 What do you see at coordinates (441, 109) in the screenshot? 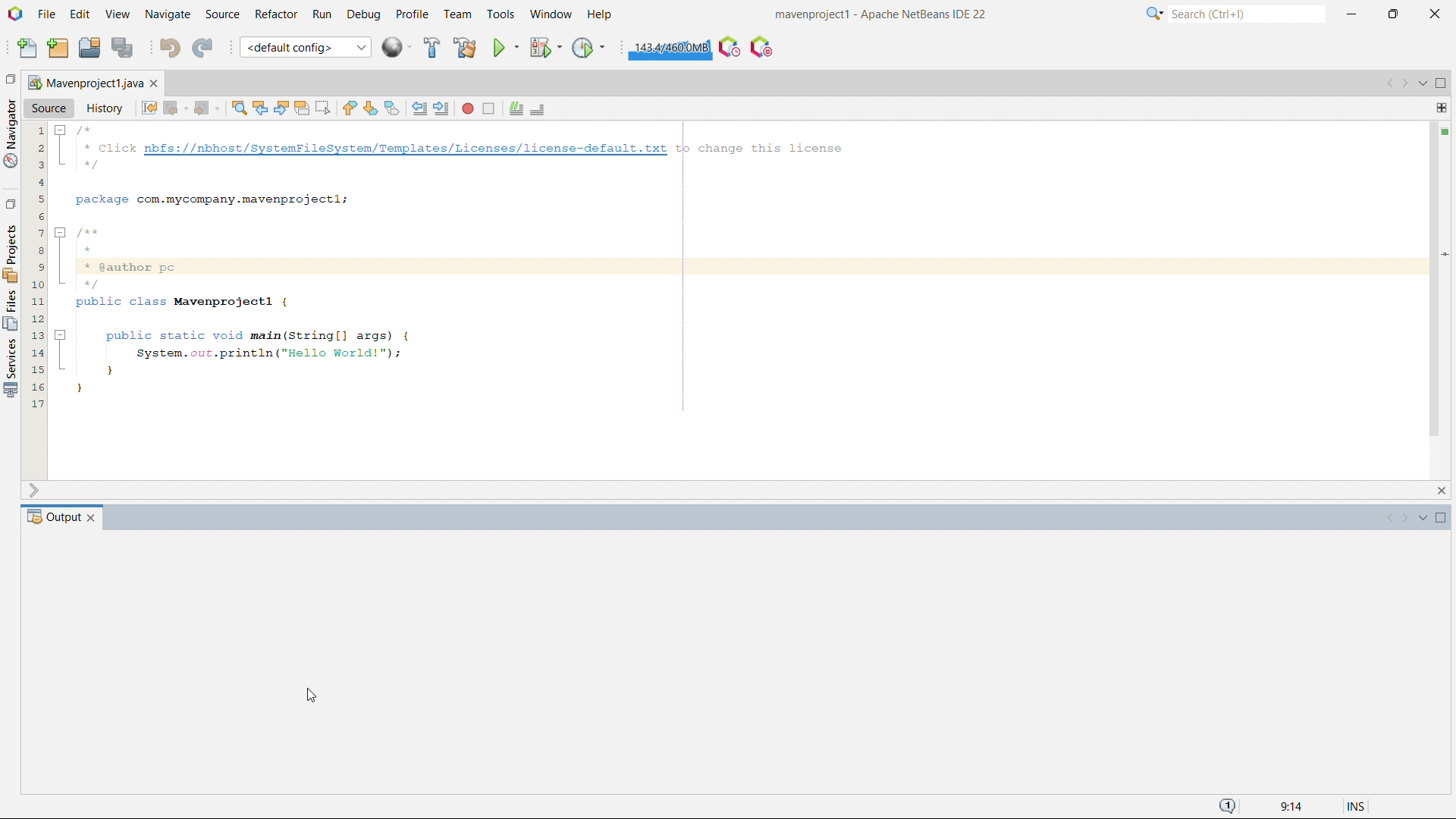
I see `shift line right` at bounding box center [441, 109].